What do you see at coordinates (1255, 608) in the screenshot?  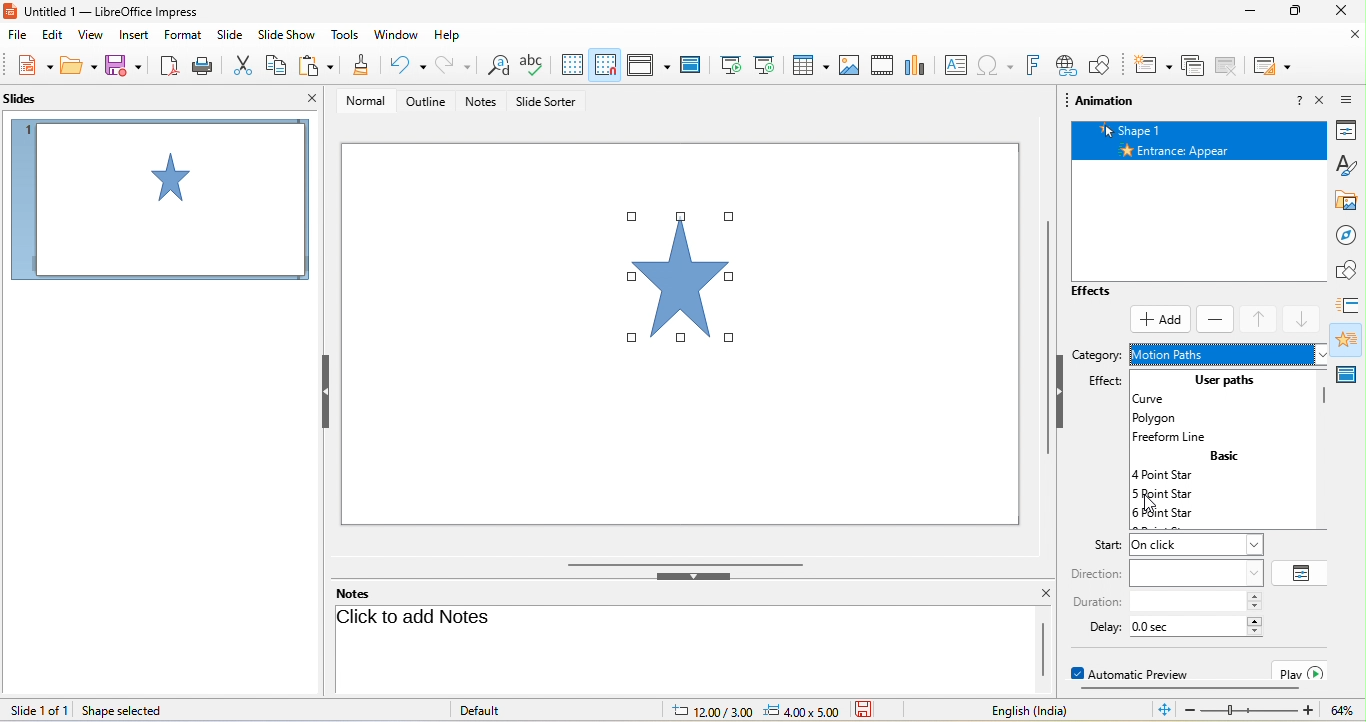 I see `decrease duration` at bounding box center [1255, 608].